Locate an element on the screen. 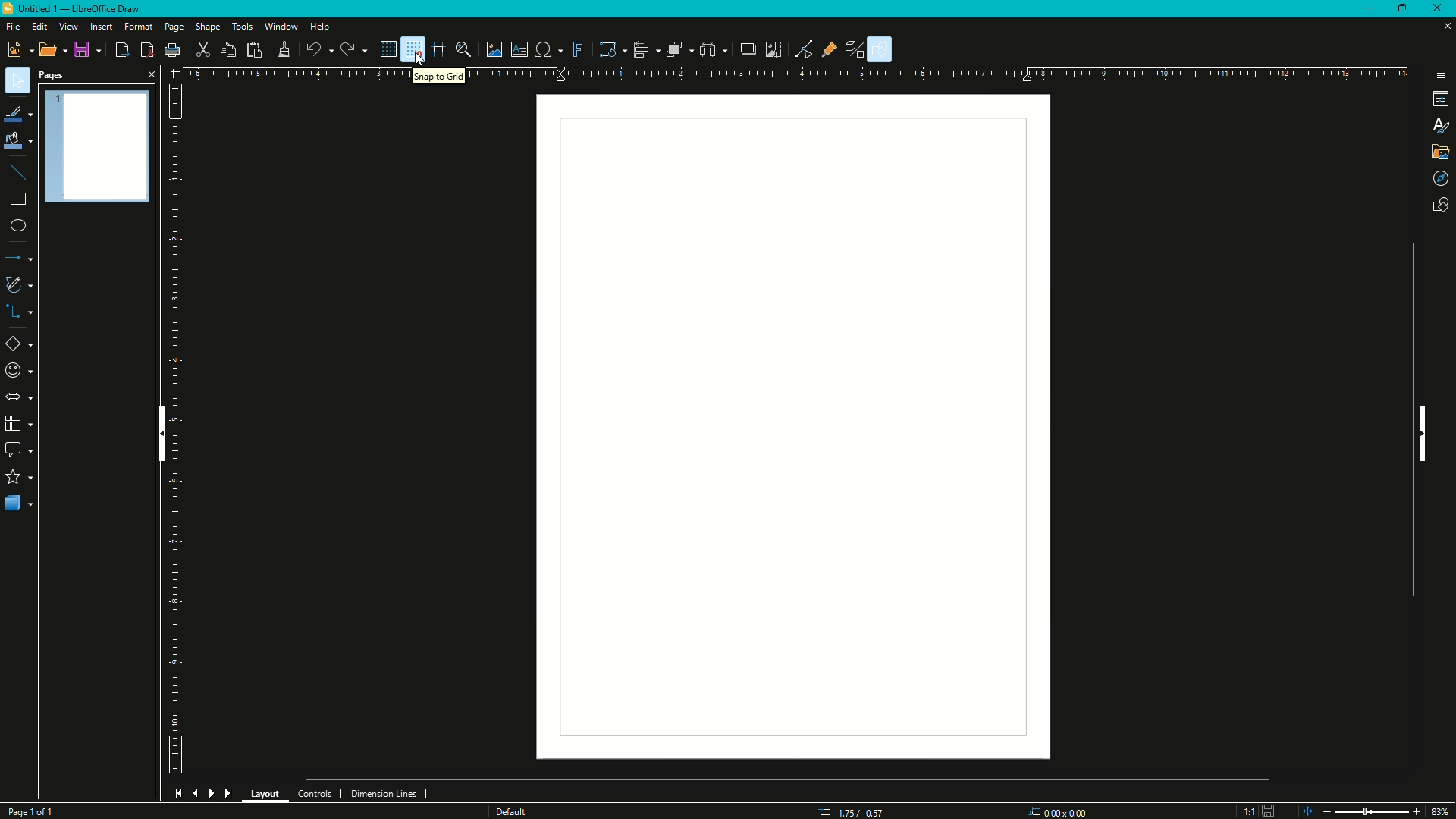 Image resolution: width=1456 pixels, height=819 pixels. Align objects is located at coordinates (640, 51).